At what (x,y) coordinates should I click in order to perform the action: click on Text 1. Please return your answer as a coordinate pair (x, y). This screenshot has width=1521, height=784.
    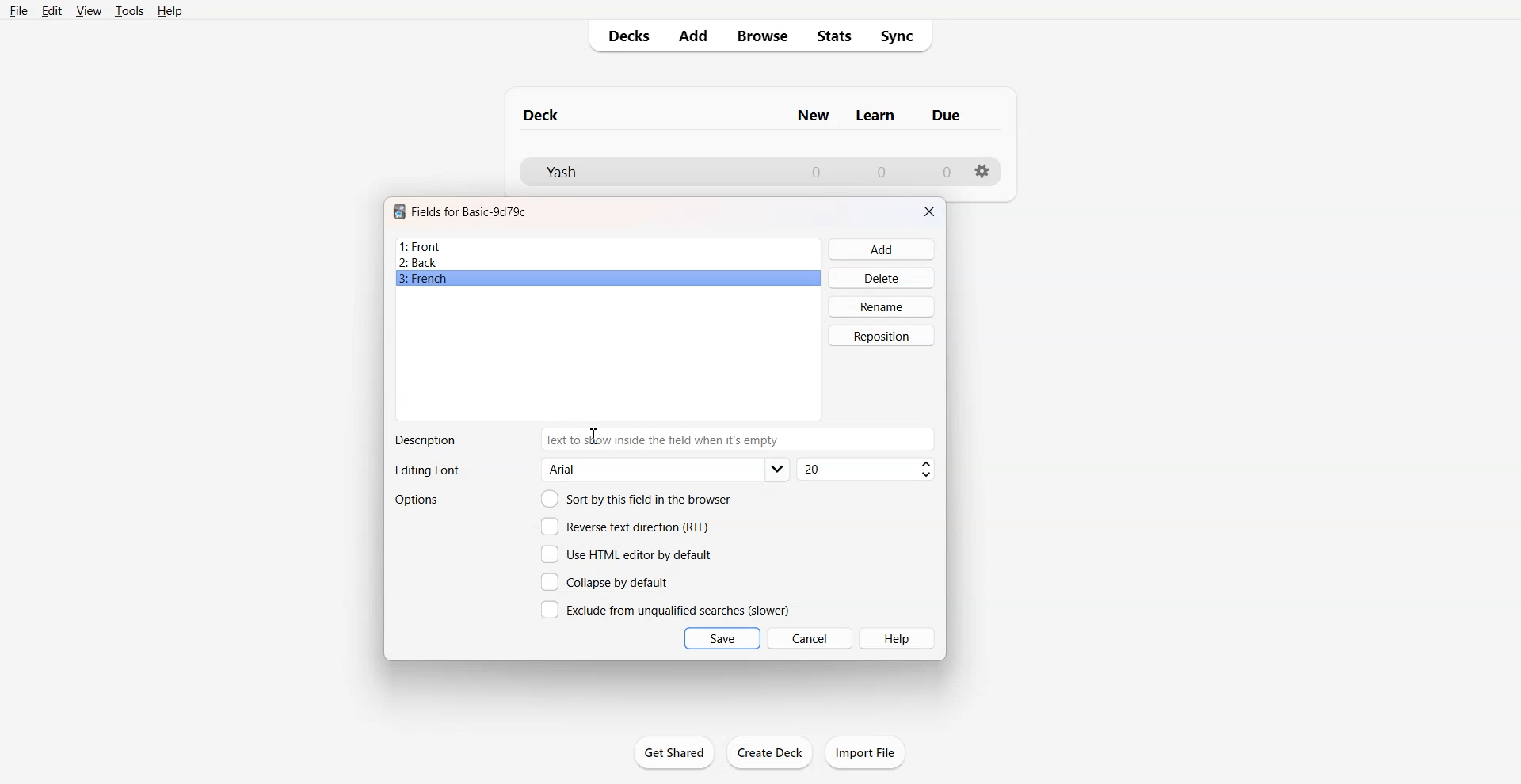
    Looking at the image, I should click on (542, 115).